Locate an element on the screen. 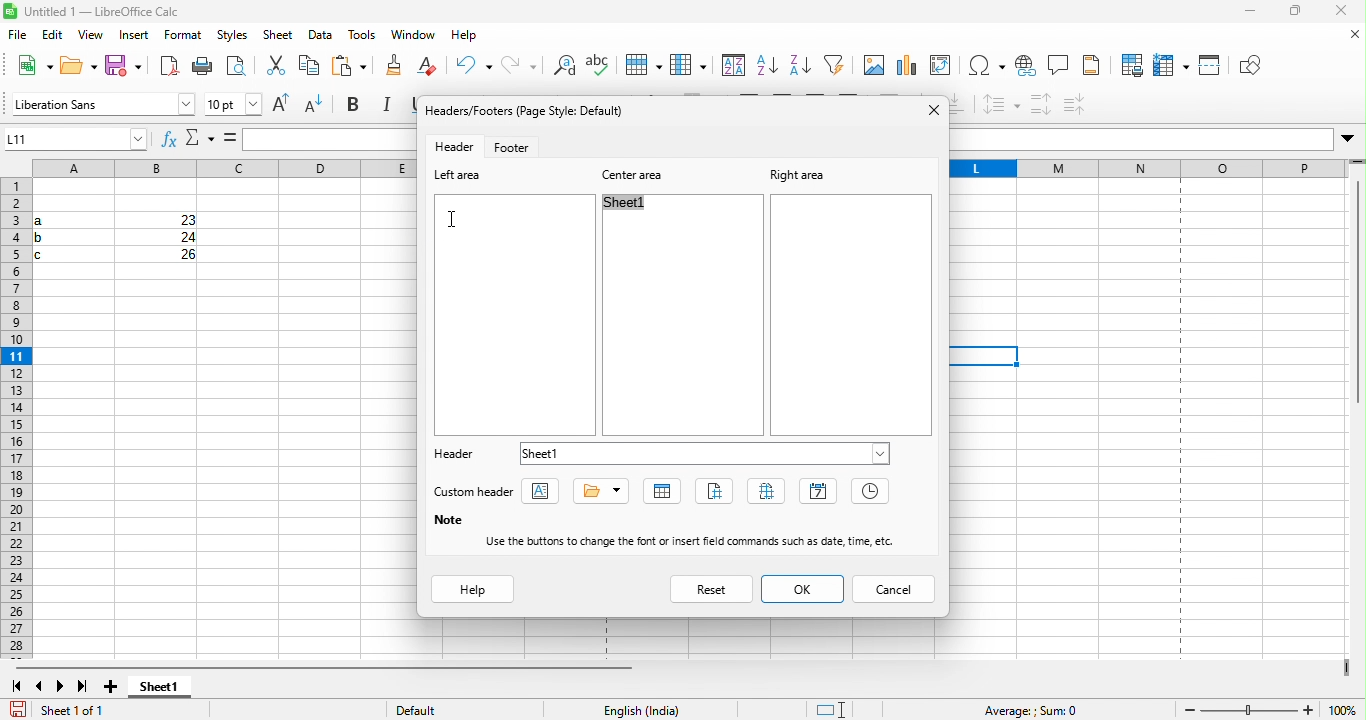  show draw function is located at coordinates (1252, 67).